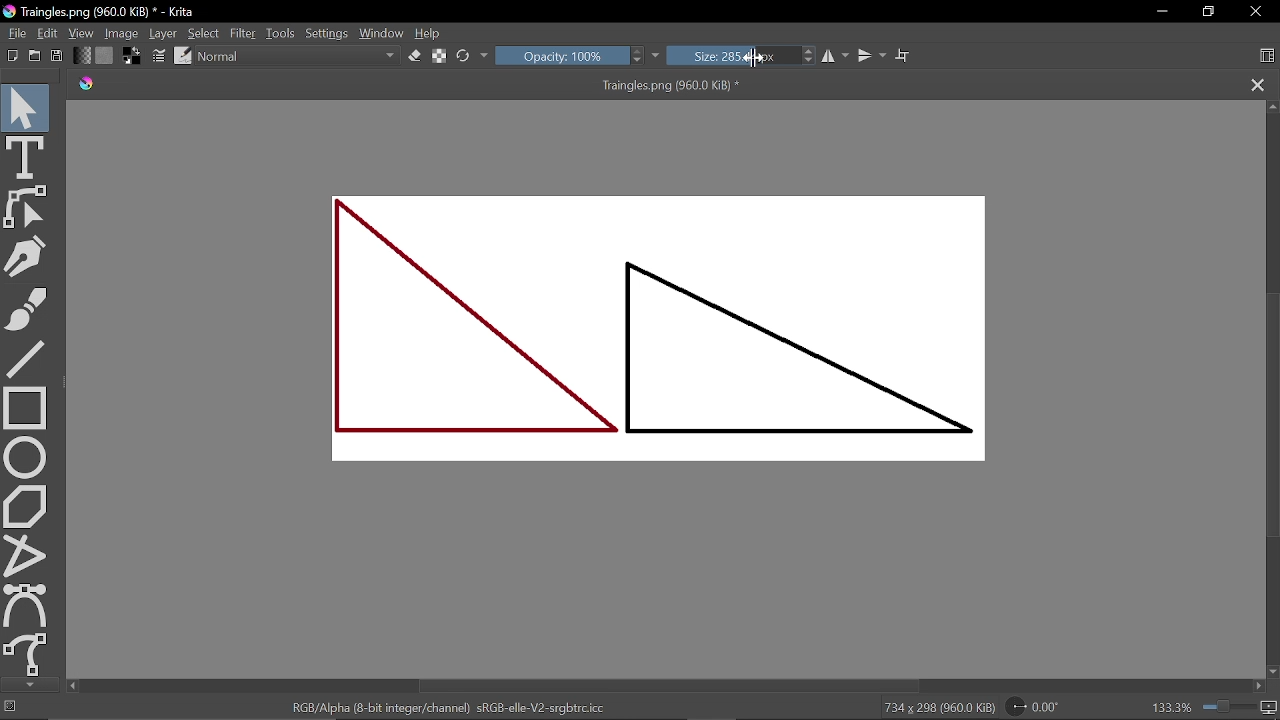 This screenshot has height=720, width=1280. Describe the element at coordinates (25, 157) in the screenshot. I see `Text tool` at that location.